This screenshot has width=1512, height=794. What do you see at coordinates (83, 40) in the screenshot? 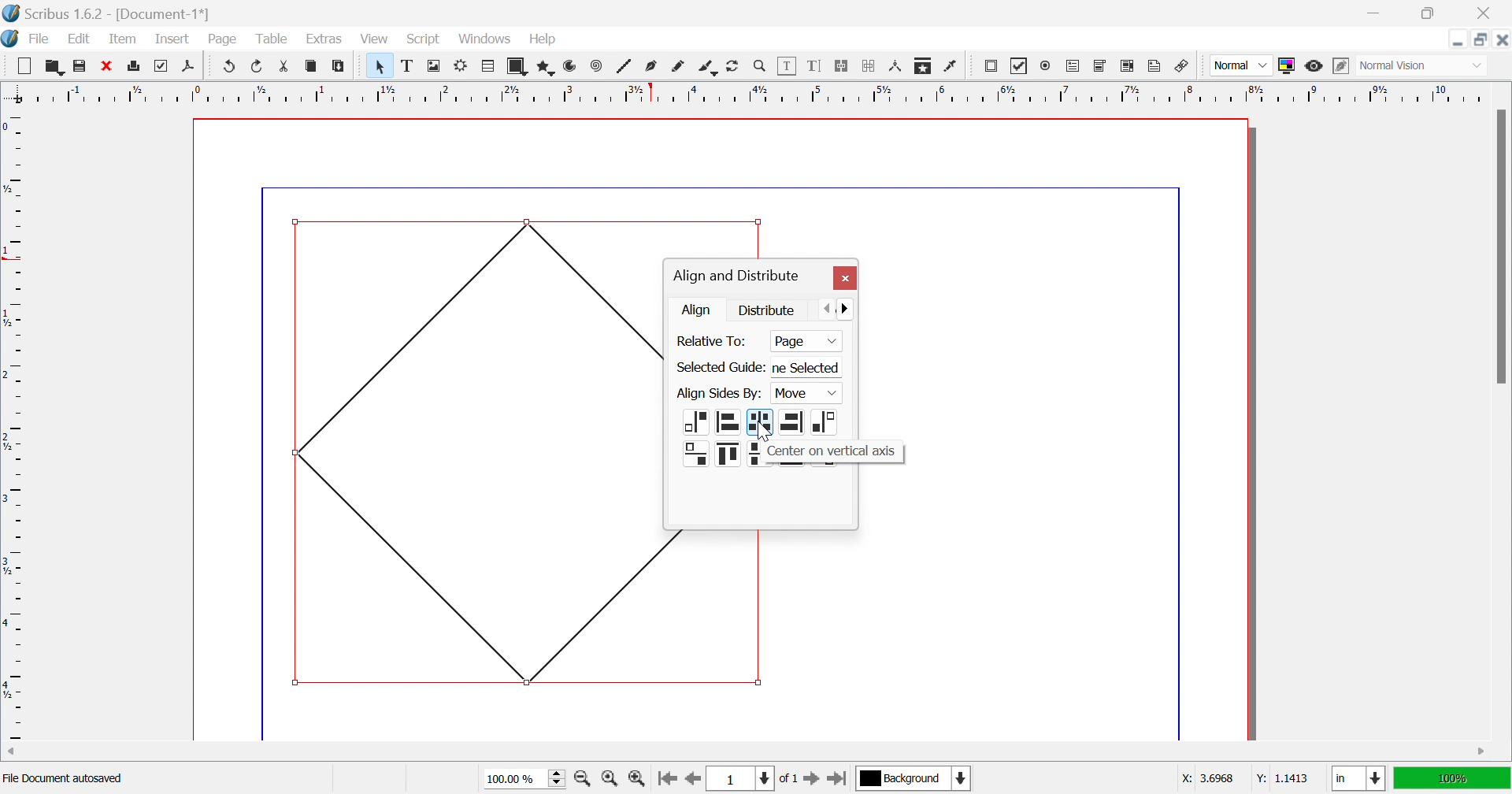
I see `Edit` at bounding box center [83, 40].